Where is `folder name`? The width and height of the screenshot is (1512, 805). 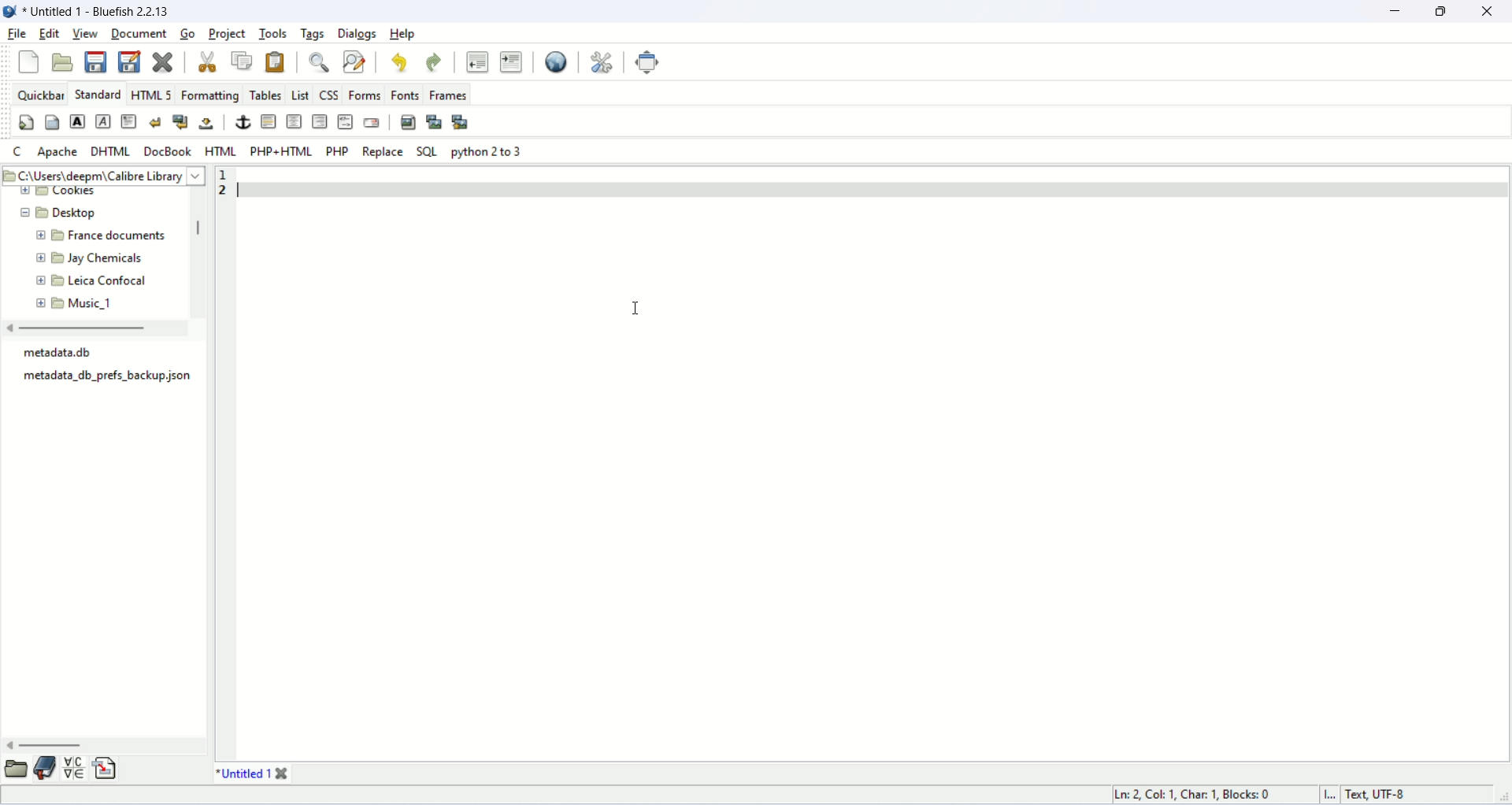 folder name is located at coordinates (94, 301).